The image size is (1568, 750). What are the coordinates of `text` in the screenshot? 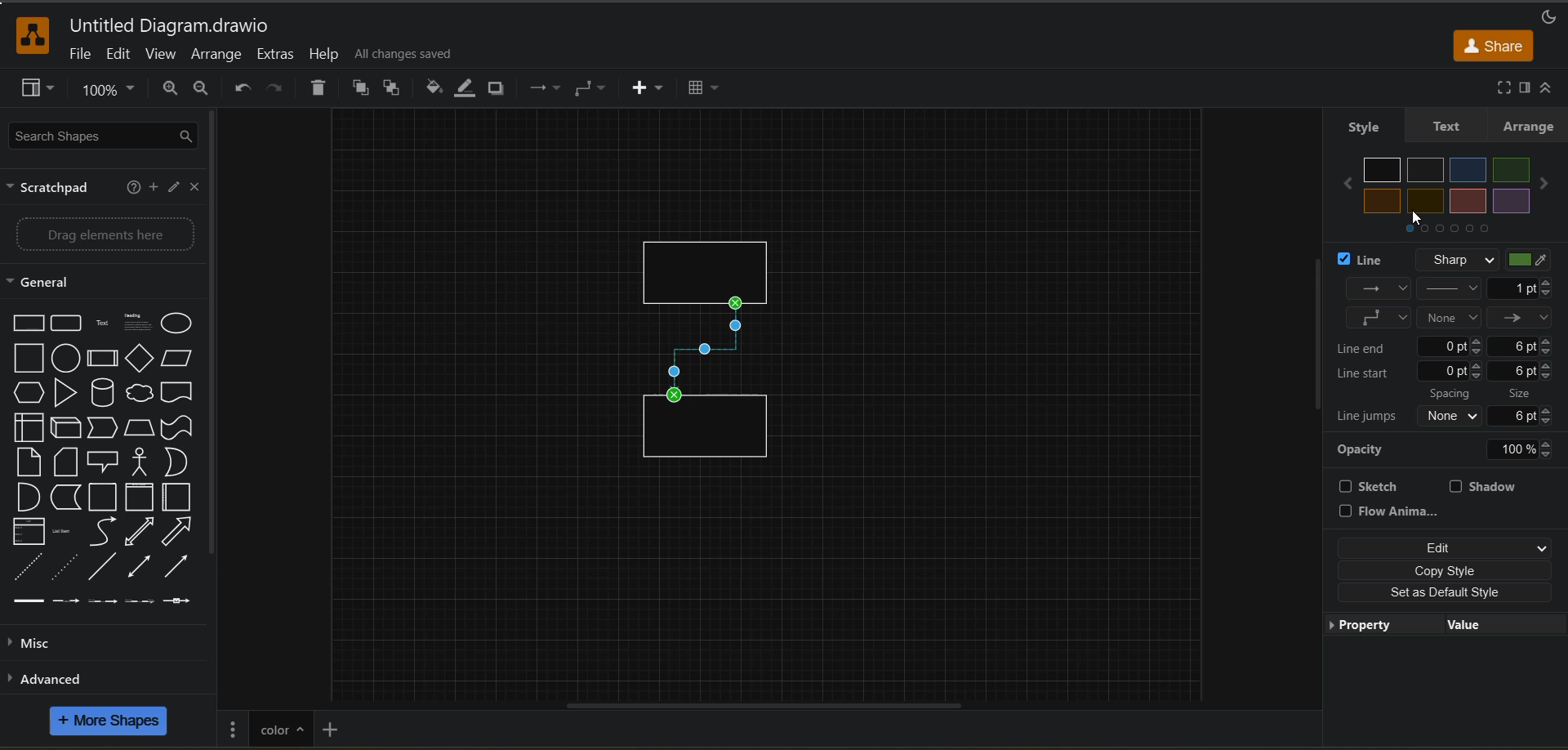 It's located at (1443, 126).